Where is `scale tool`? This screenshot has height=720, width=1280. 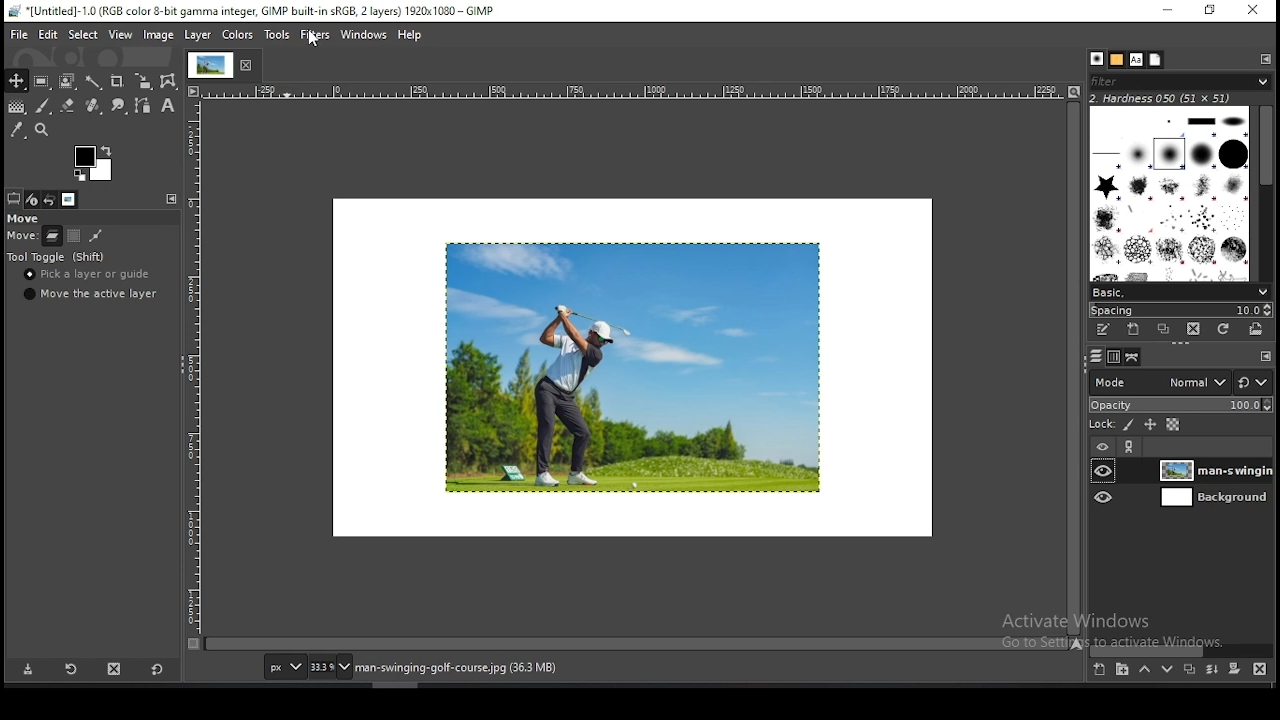 scale tool is located at coordinates (144, 82).